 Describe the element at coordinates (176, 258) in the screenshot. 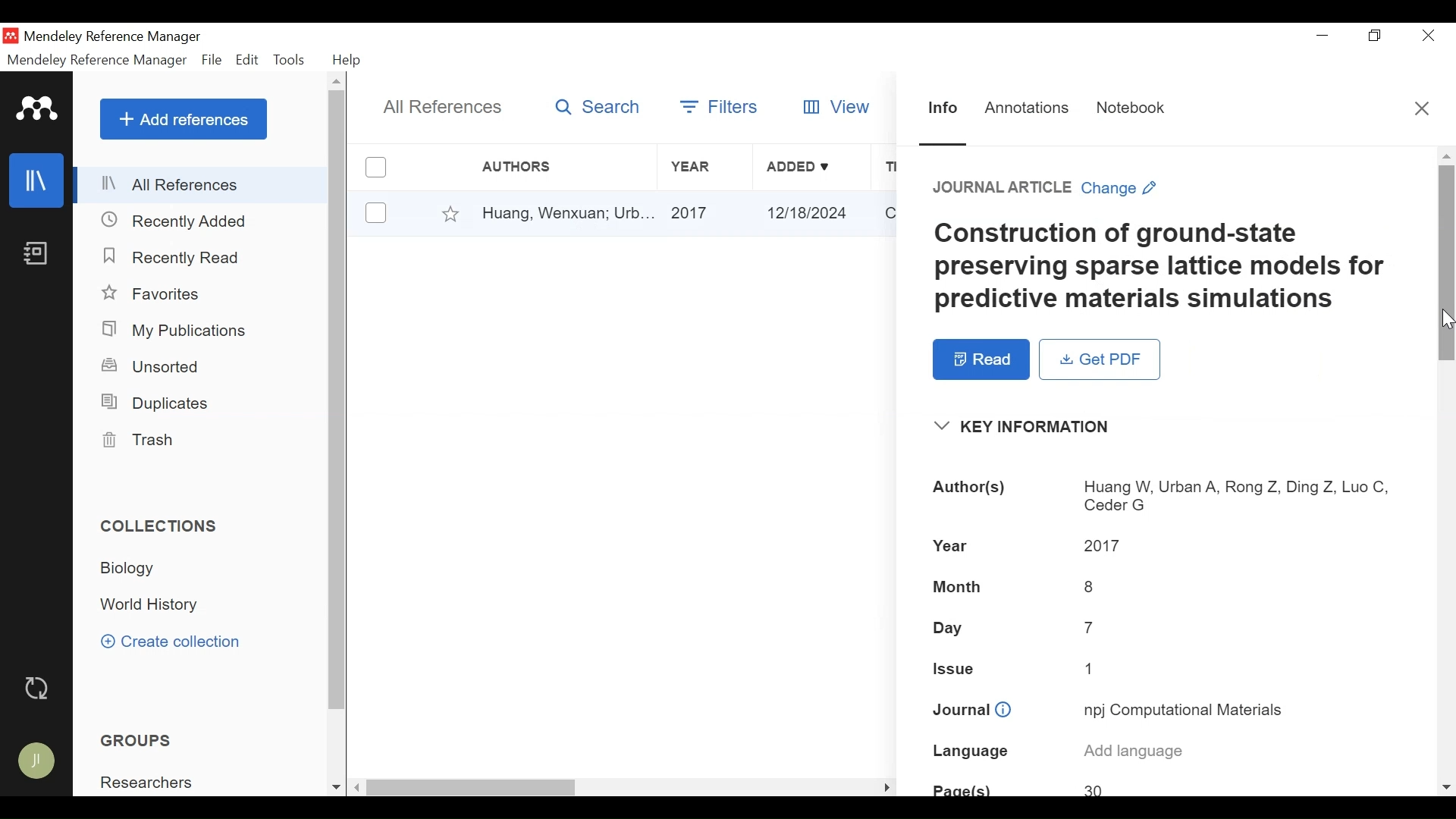

I see `Recently Read` at that location.